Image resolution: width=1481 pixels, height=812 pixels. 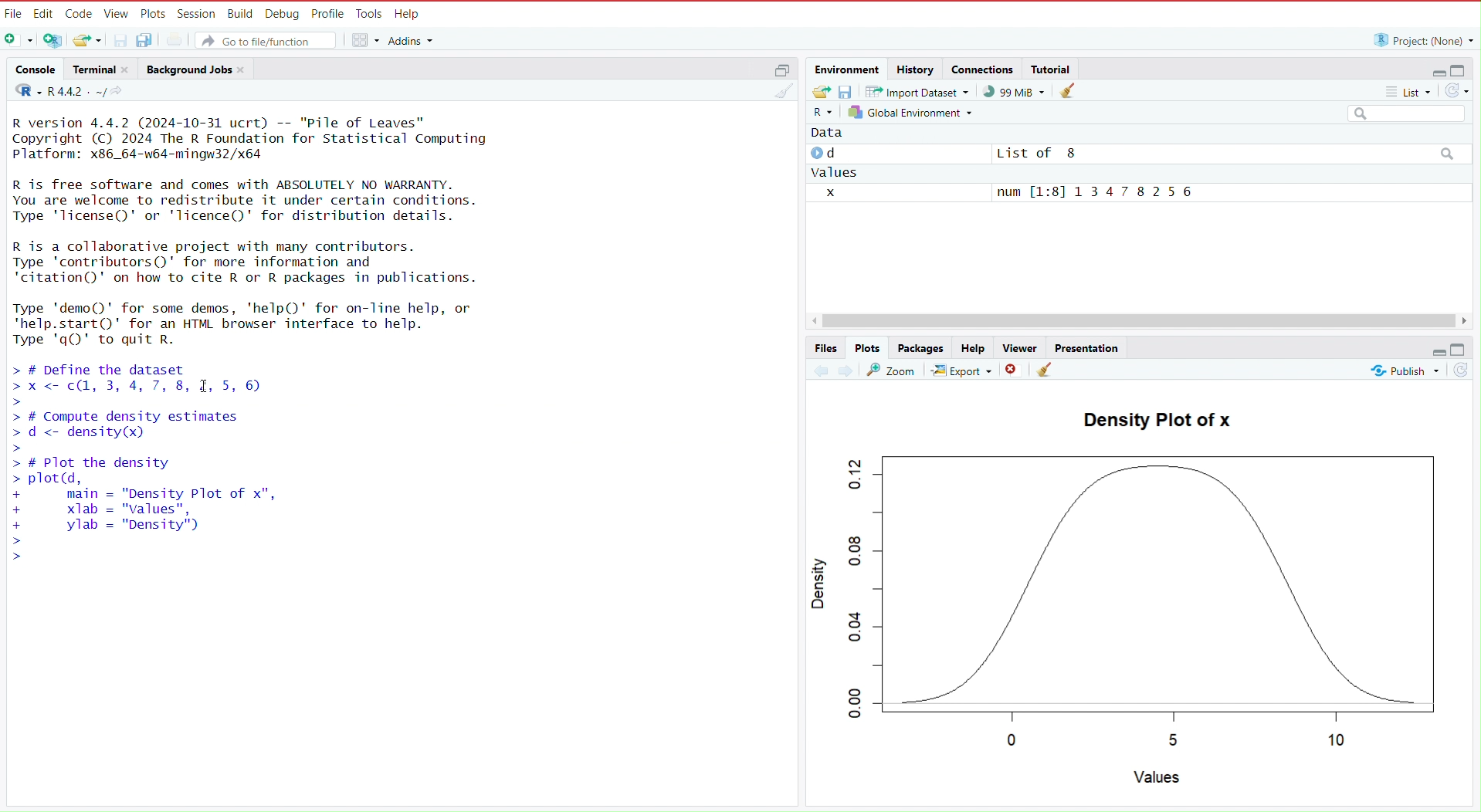 I want to click on new file, so click(x=18, y=39).